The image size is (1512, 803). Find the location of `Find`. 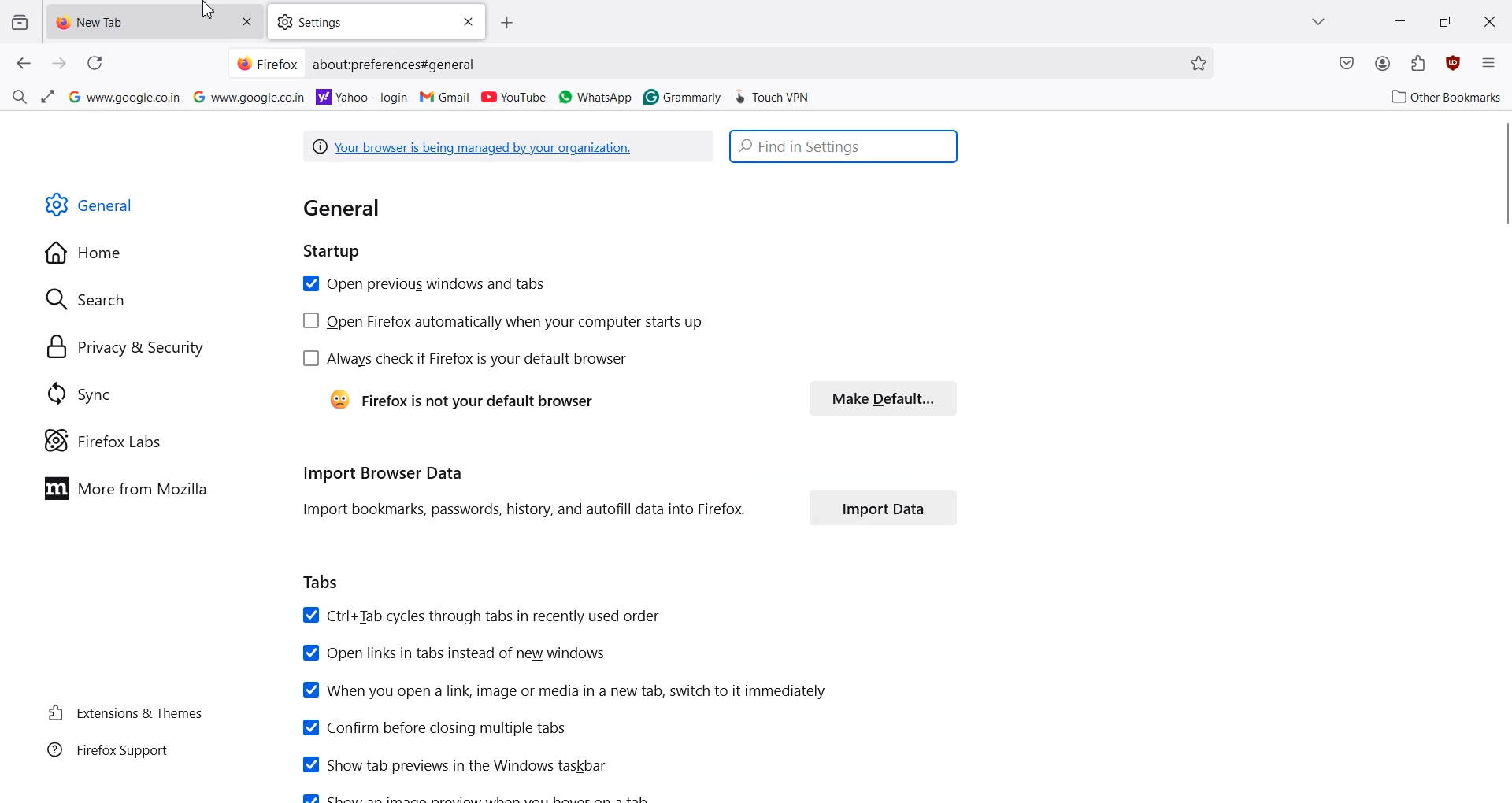

Find is located at coordinates (19, 94).